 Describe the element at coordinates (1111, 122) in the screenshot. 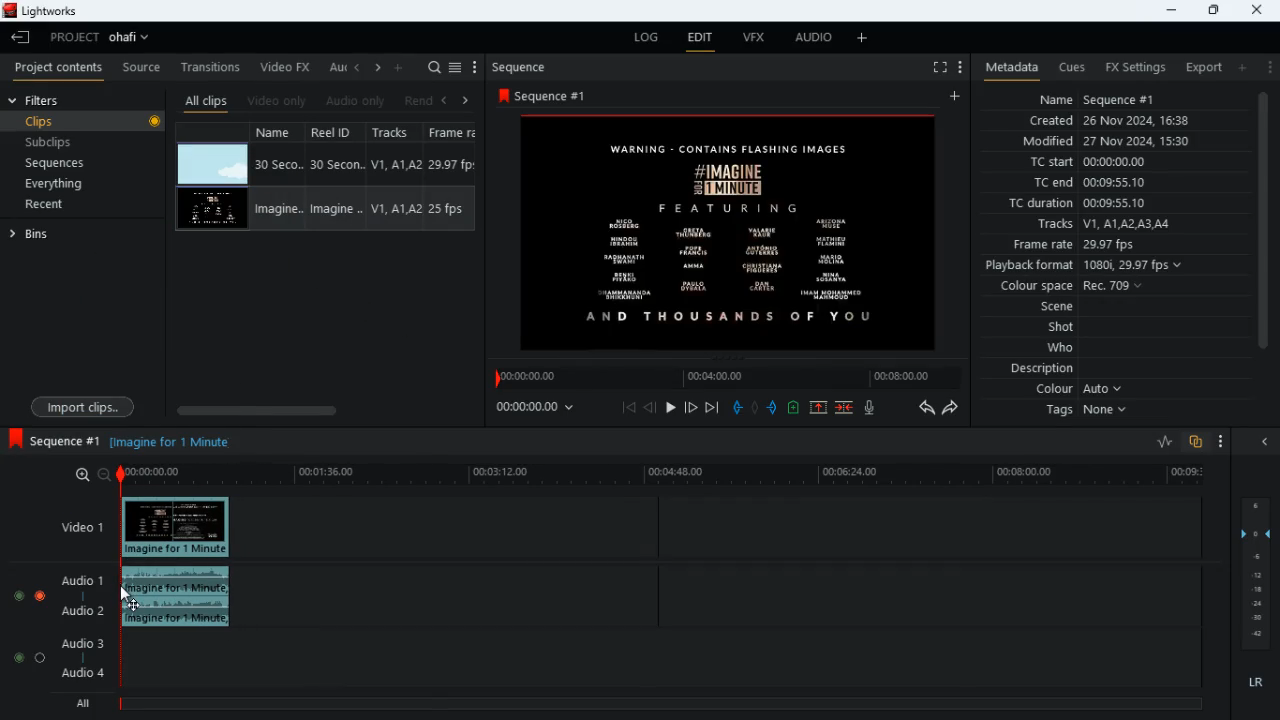

I see `created` at that location.